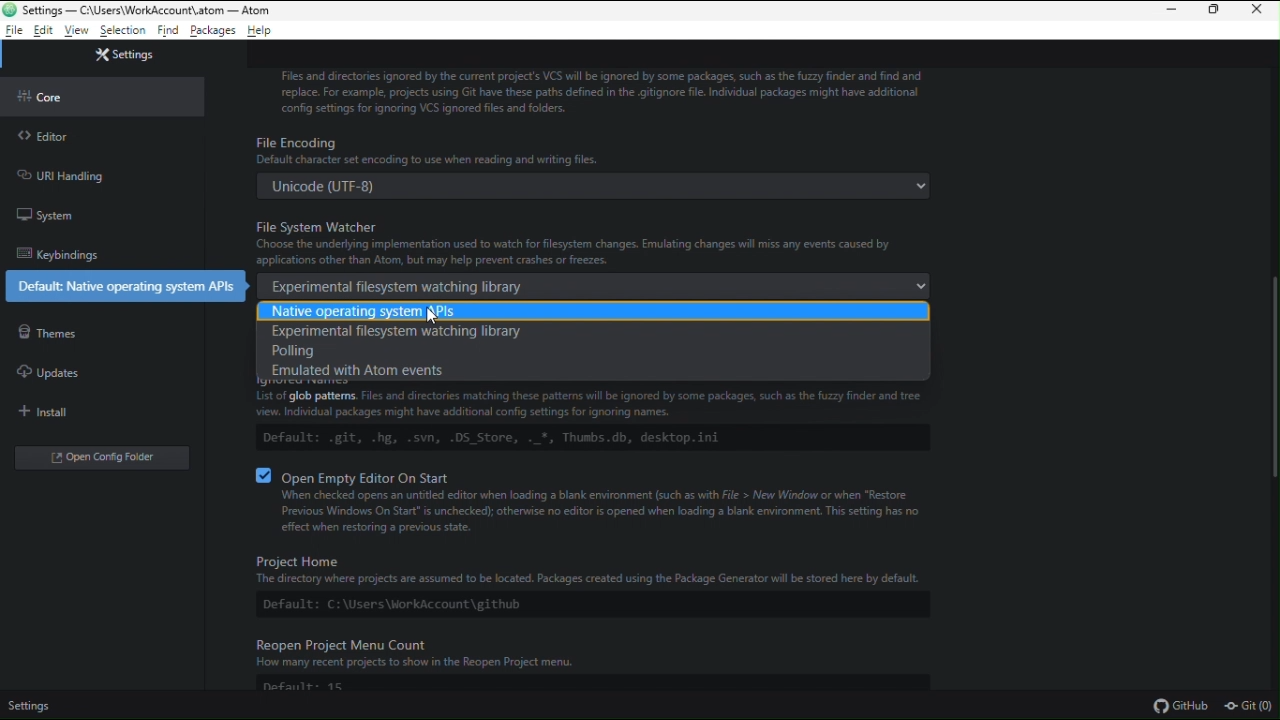  I want to click on Reopen project menu count, so click(603, 667).